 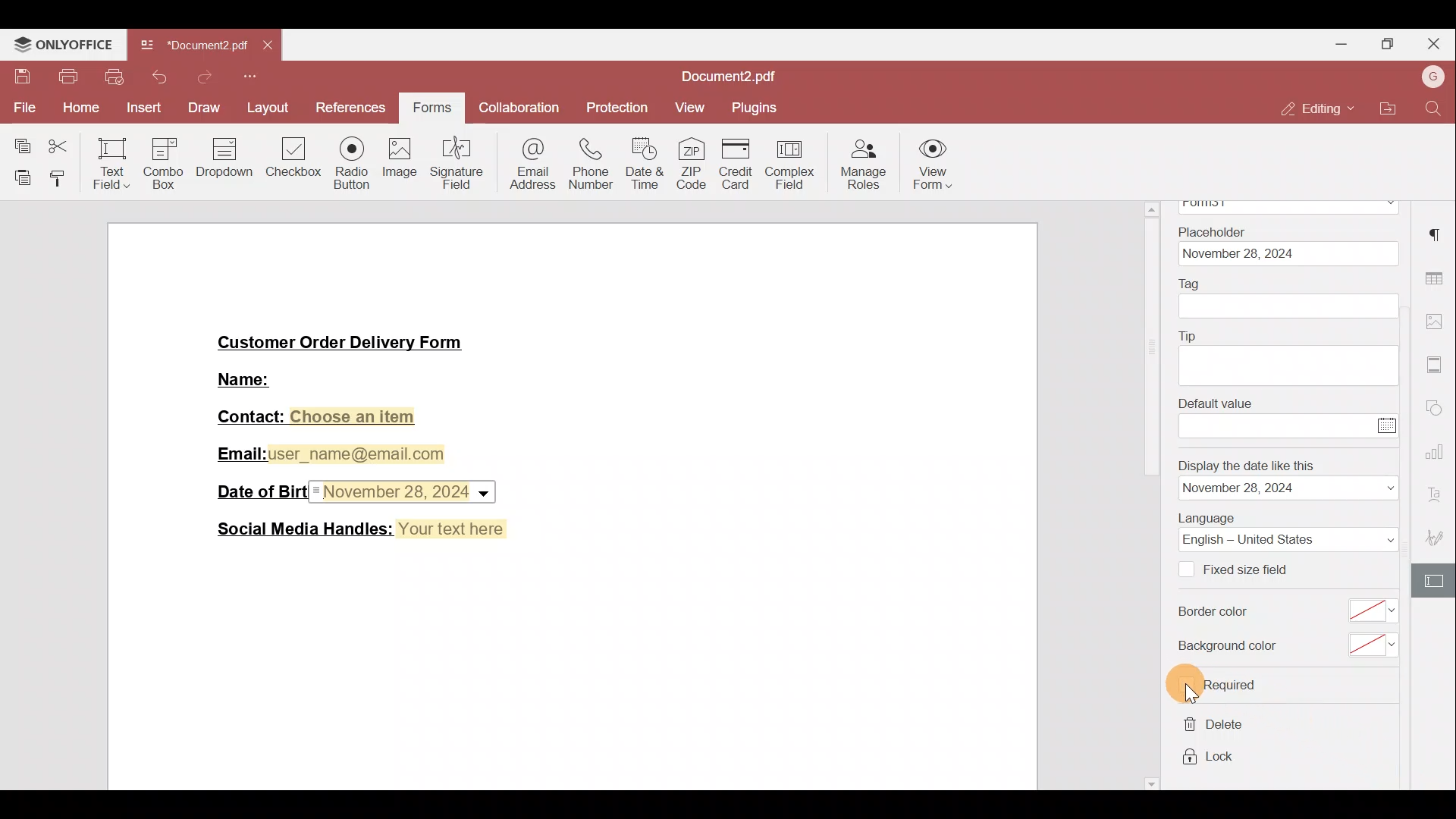 I want to click on required, so click(x=1228, y=685).